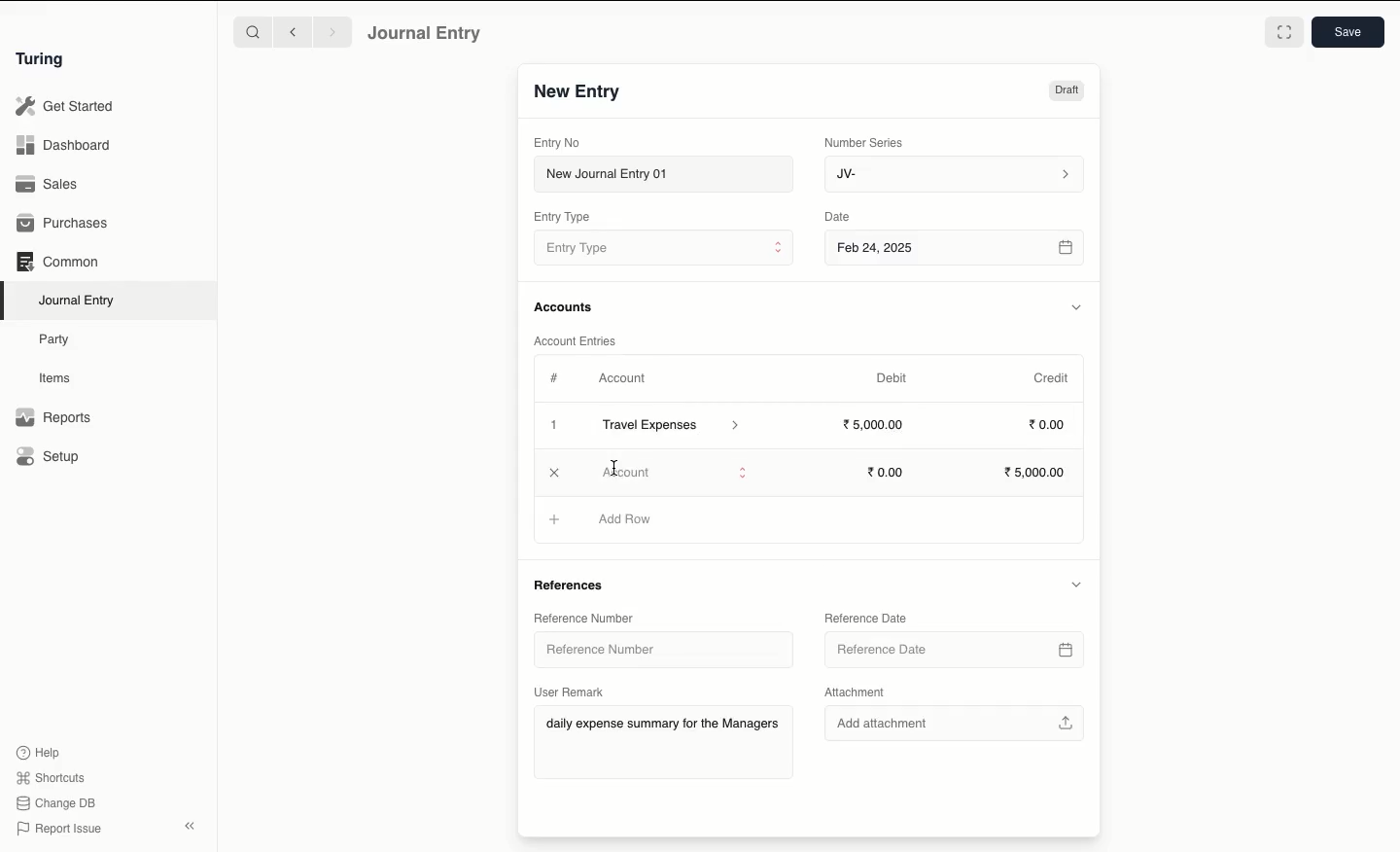  Describe the element at coordinates (556, 520) in the screenshot. I see `Add` at that location.